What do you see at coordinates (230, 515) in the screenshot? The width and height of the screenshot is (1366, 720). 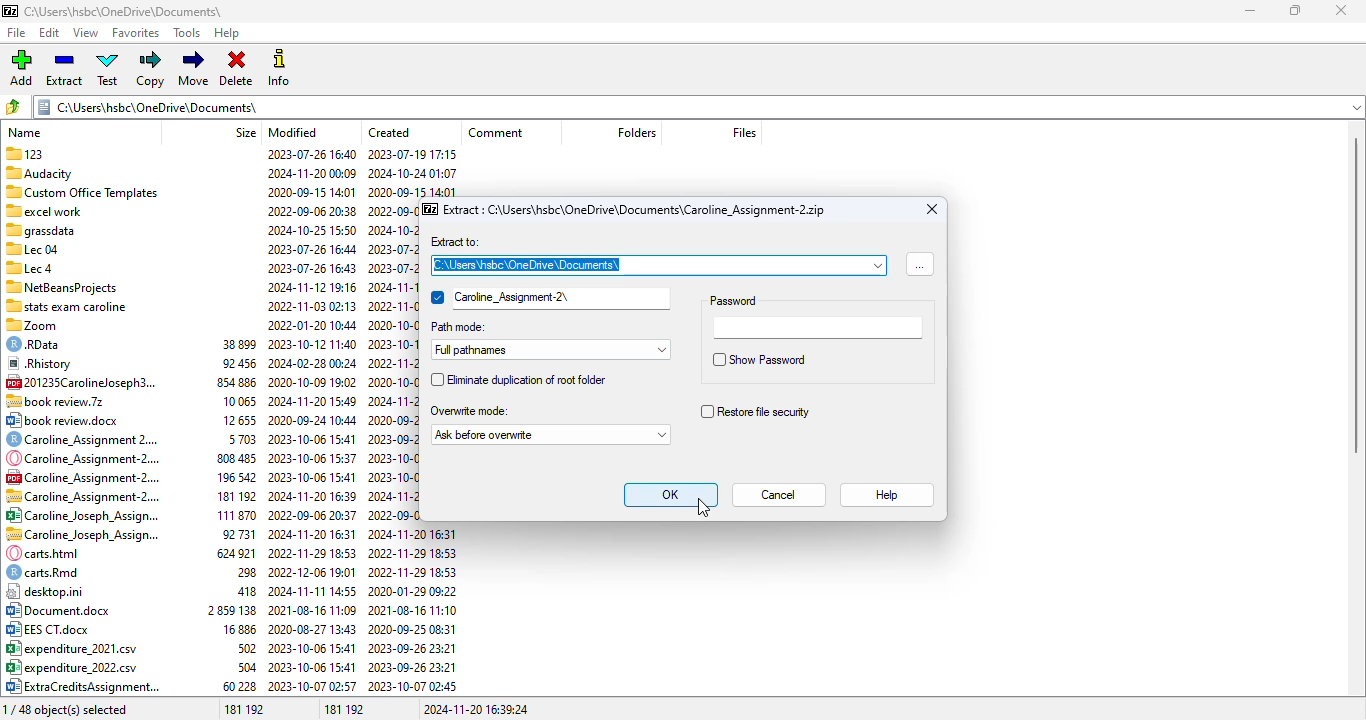 I see `| Caroline Joseph Assigi¥, 111870 2022-09-06 20:37 2022-09-06 20:37` at bounding box center [230, 515].